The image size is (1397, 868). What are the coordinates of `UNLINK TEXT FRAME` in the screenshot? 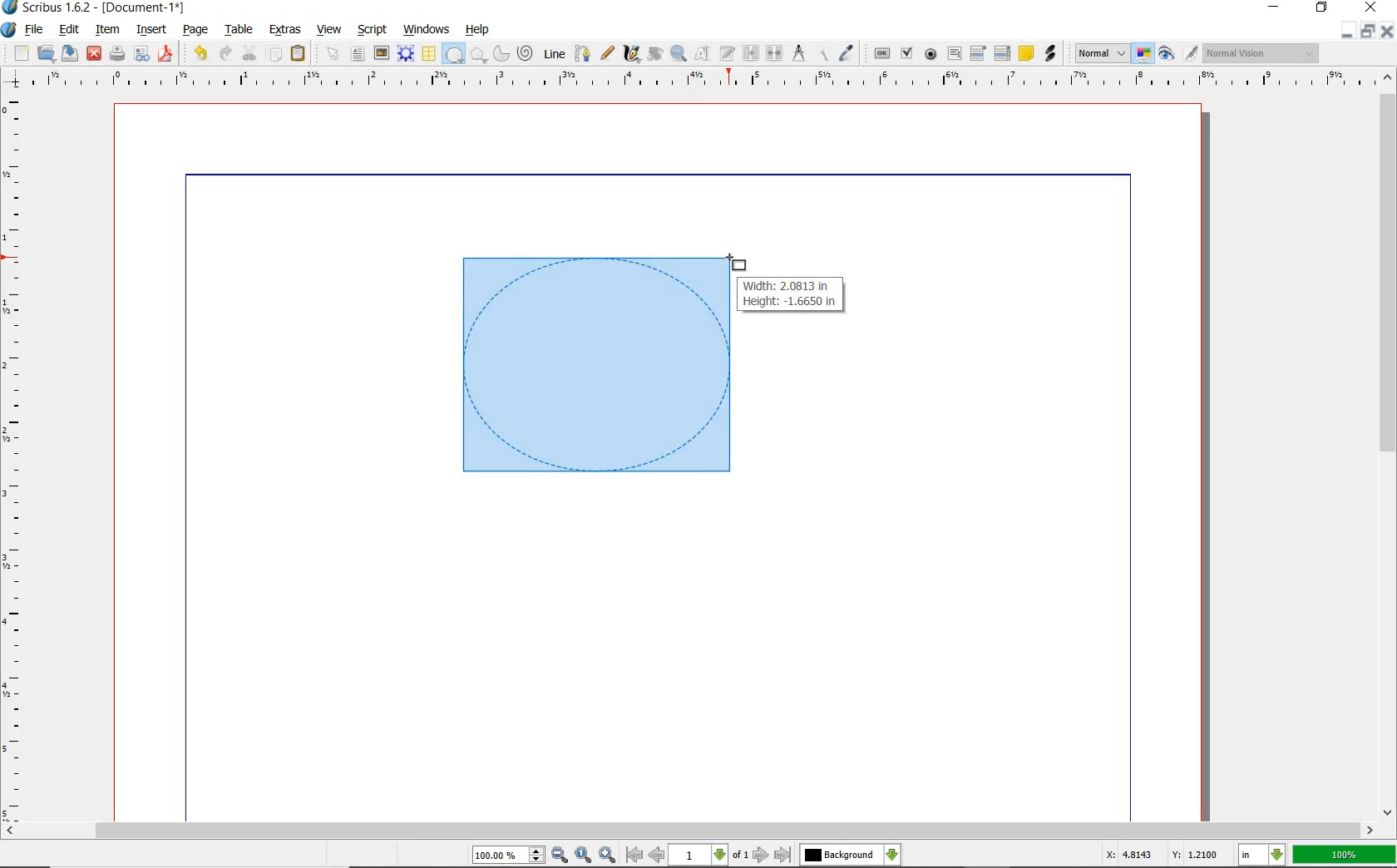 It's located at (773, 52).